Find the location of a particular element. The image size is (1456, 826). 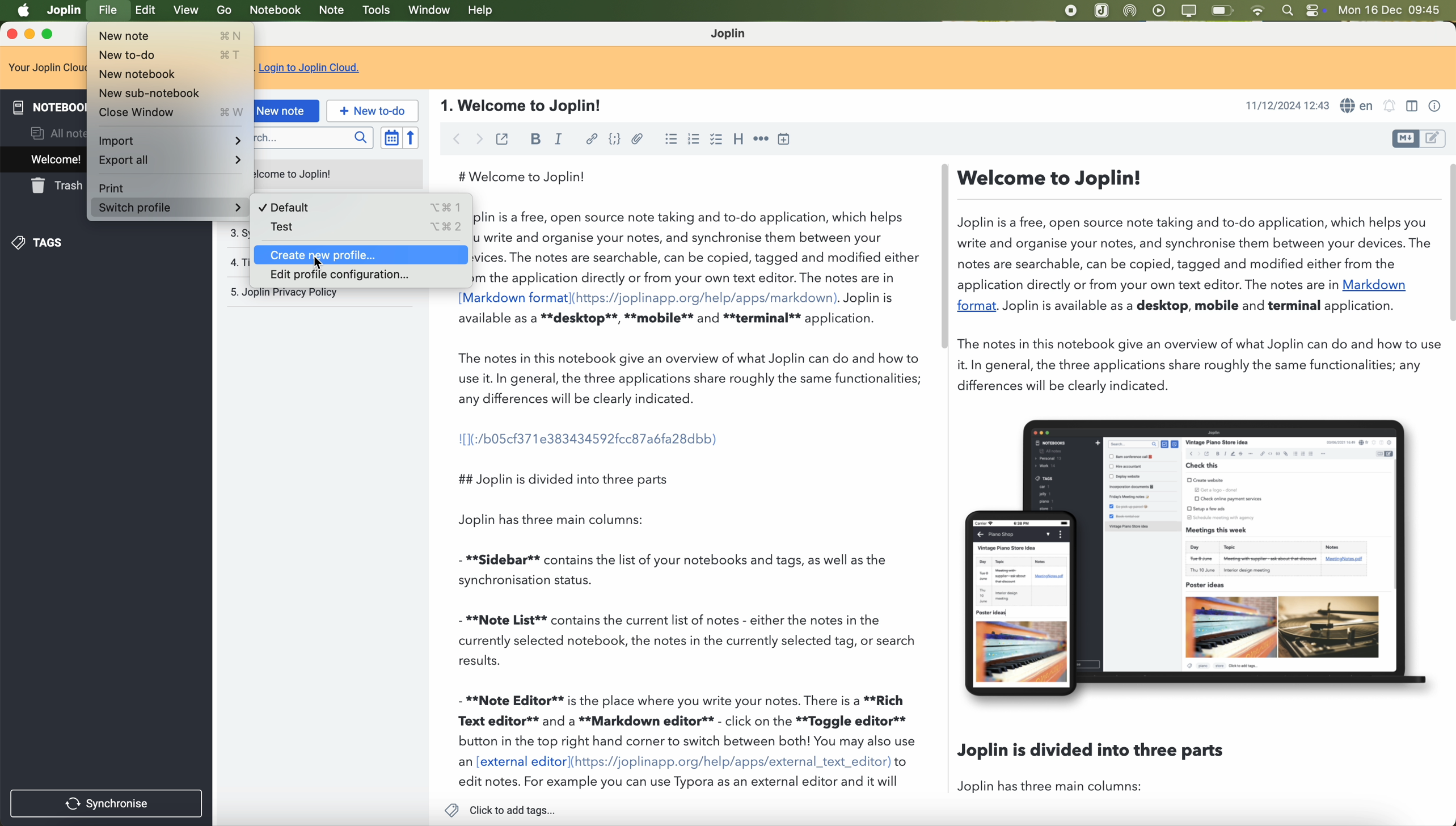

back is located at coordinates (454, 140).